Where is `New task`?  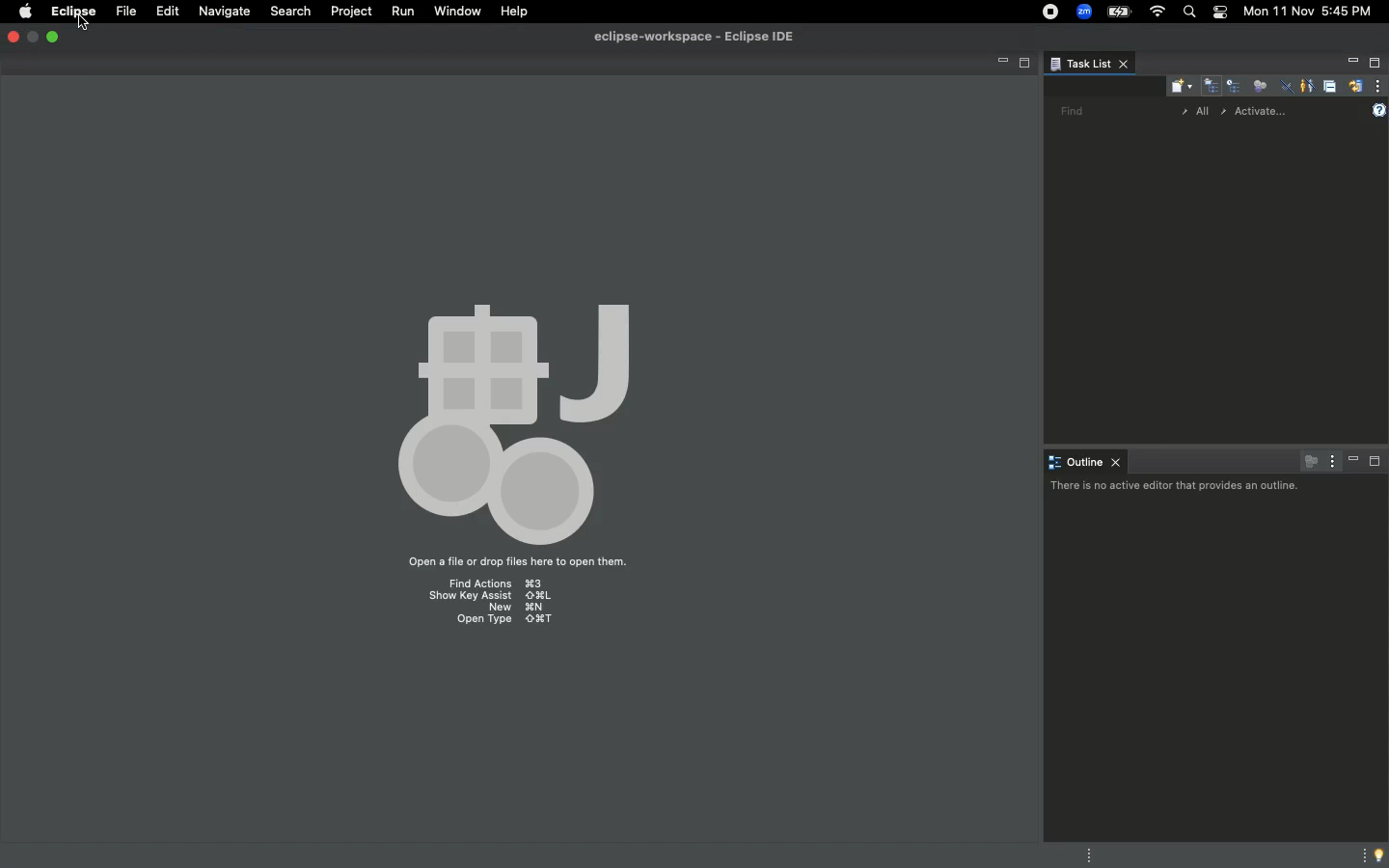
New task is located at coordinates (1178, 85).